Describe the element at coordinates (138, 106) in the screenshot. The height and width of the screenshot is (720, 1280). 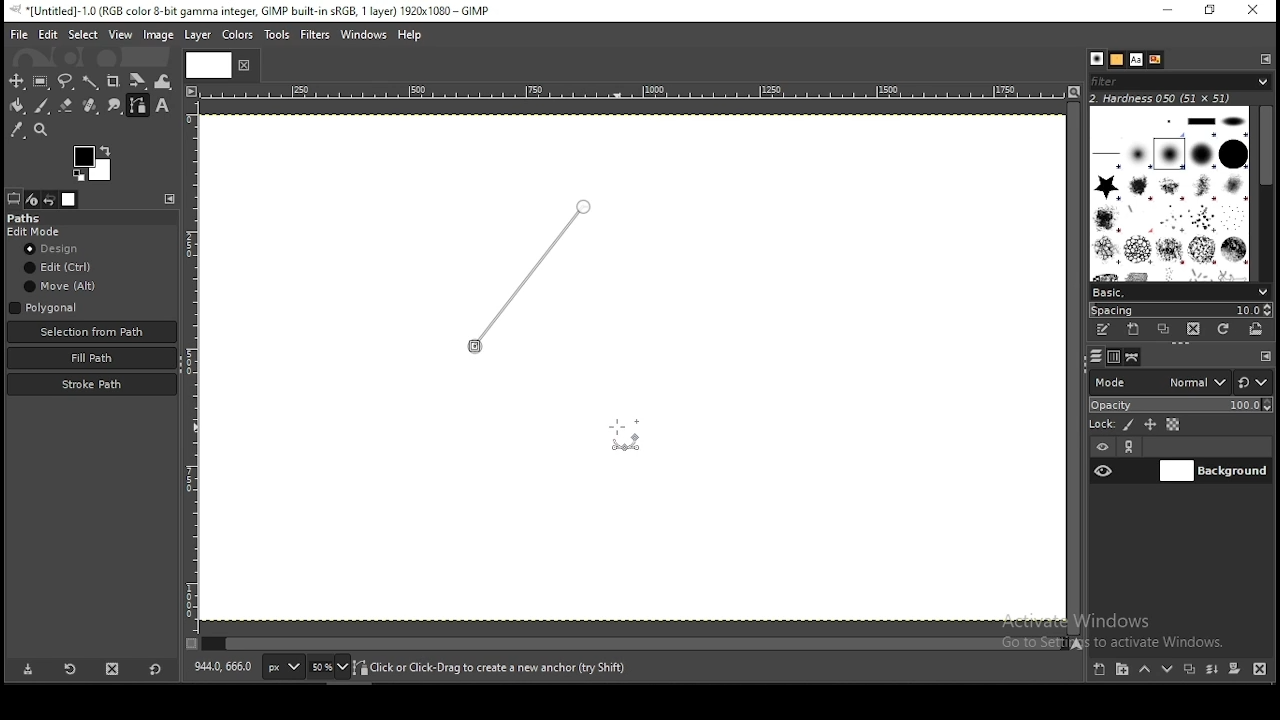
I see `paths tool` at that location.